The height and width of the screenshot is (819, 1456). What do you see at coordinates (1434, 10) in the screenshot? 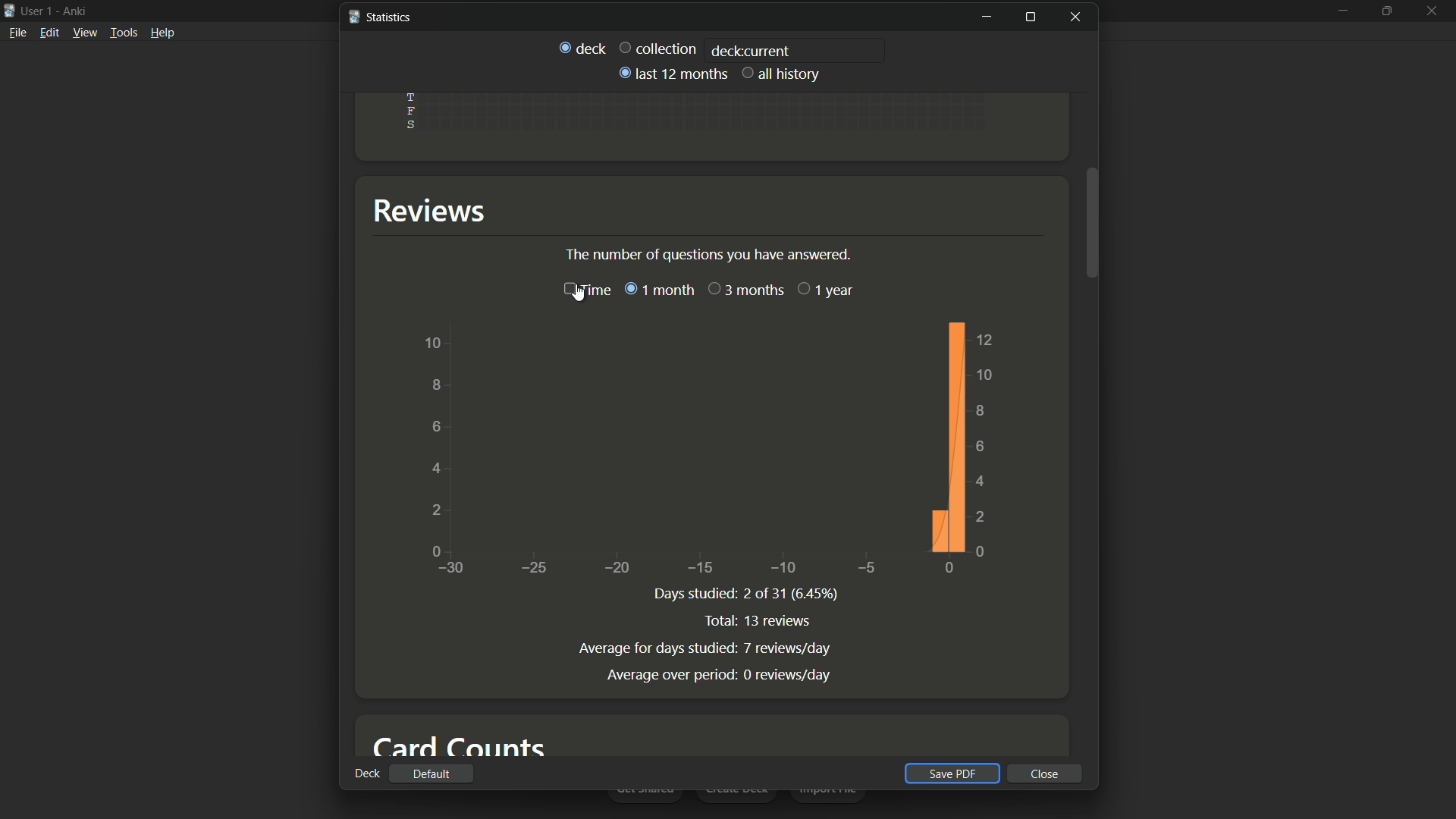
I see `close app` at bounding box center [1434, 10].